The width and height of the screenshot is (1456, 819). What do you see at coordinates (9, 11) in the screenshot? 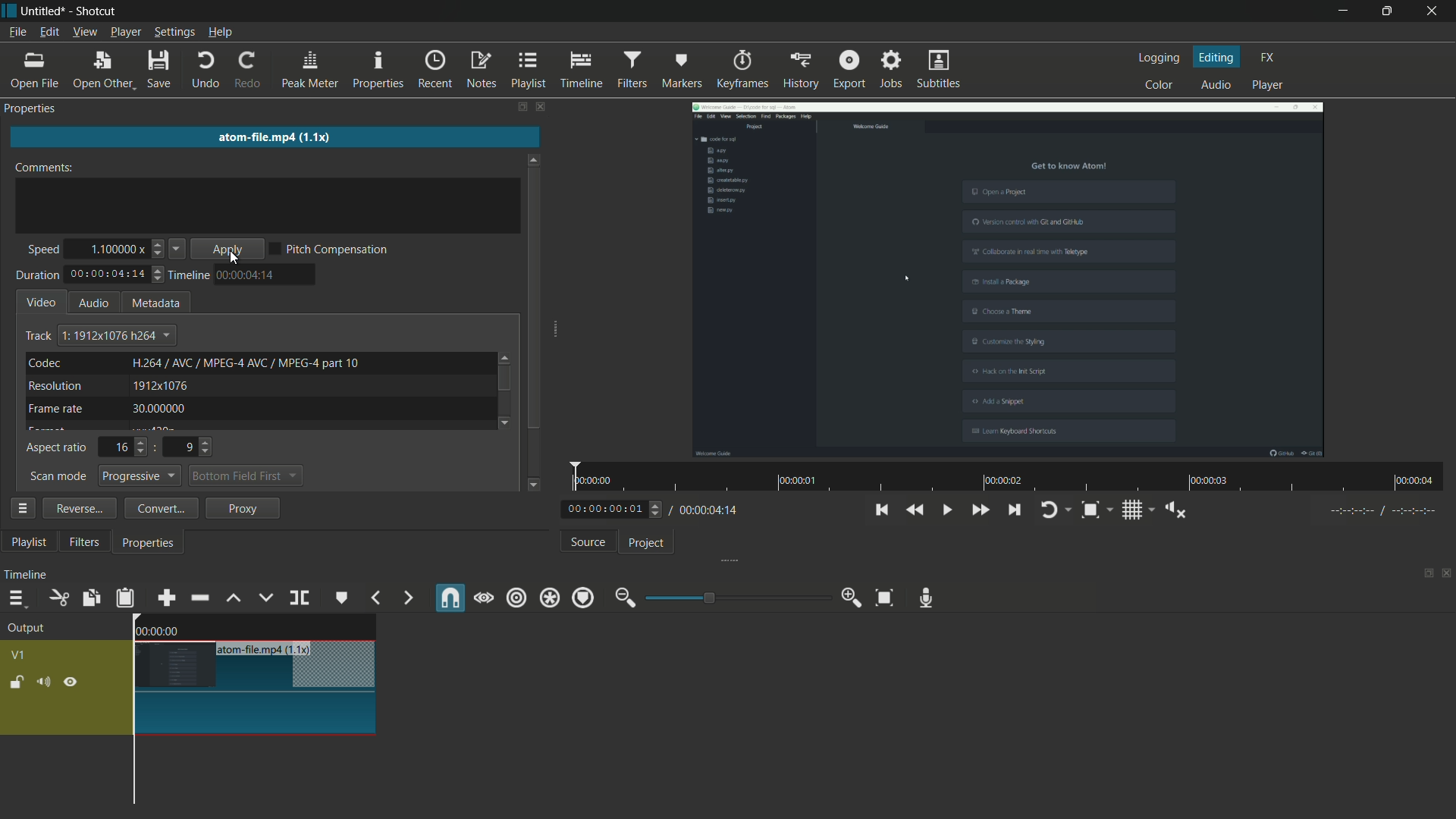
I see `app icon` at bounding box center [9, 11].